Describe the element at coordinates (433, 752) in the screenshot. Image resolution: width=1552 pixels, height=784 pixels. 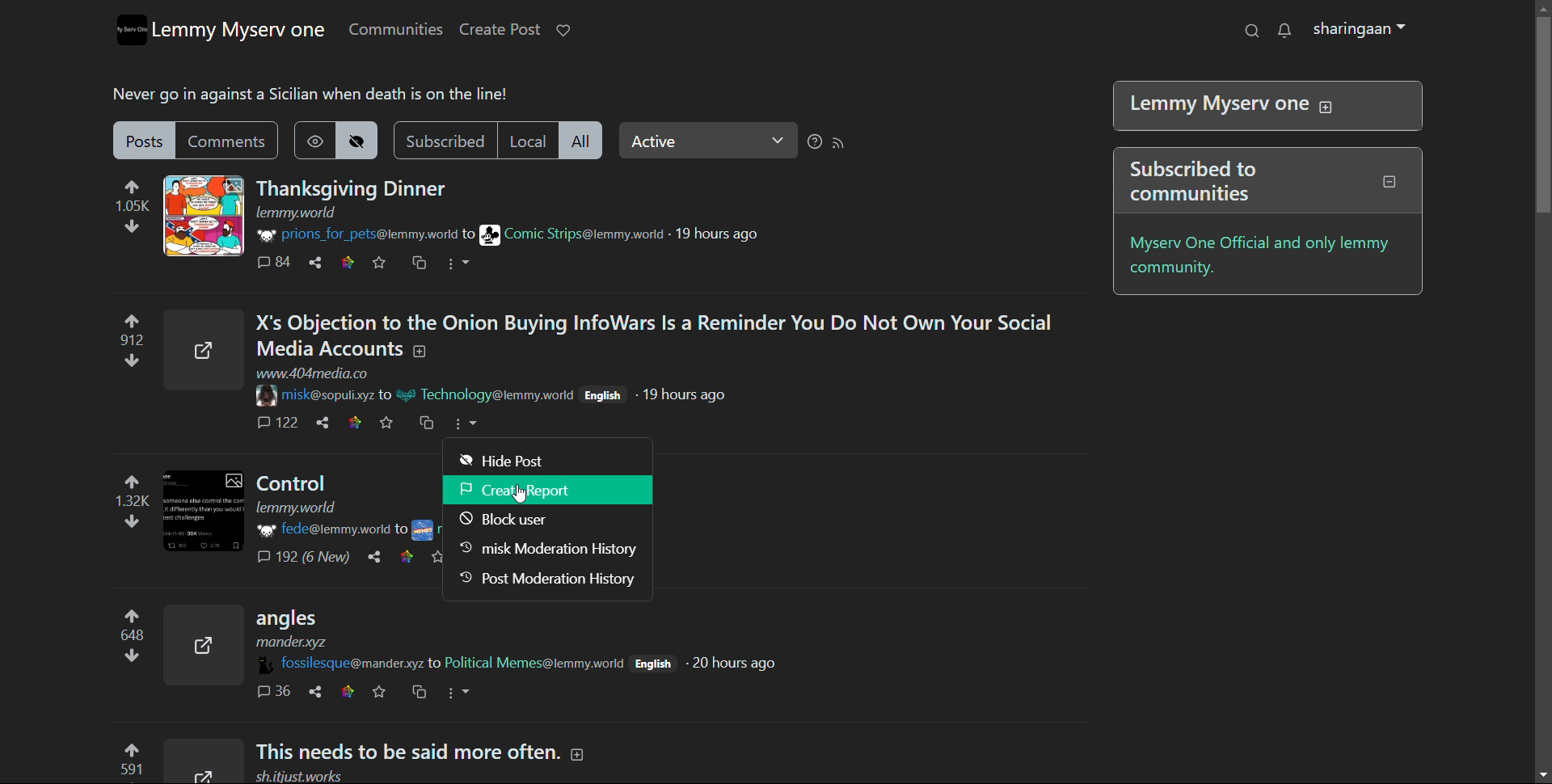
I see `Post on "This needs to be said more often."` at that location.